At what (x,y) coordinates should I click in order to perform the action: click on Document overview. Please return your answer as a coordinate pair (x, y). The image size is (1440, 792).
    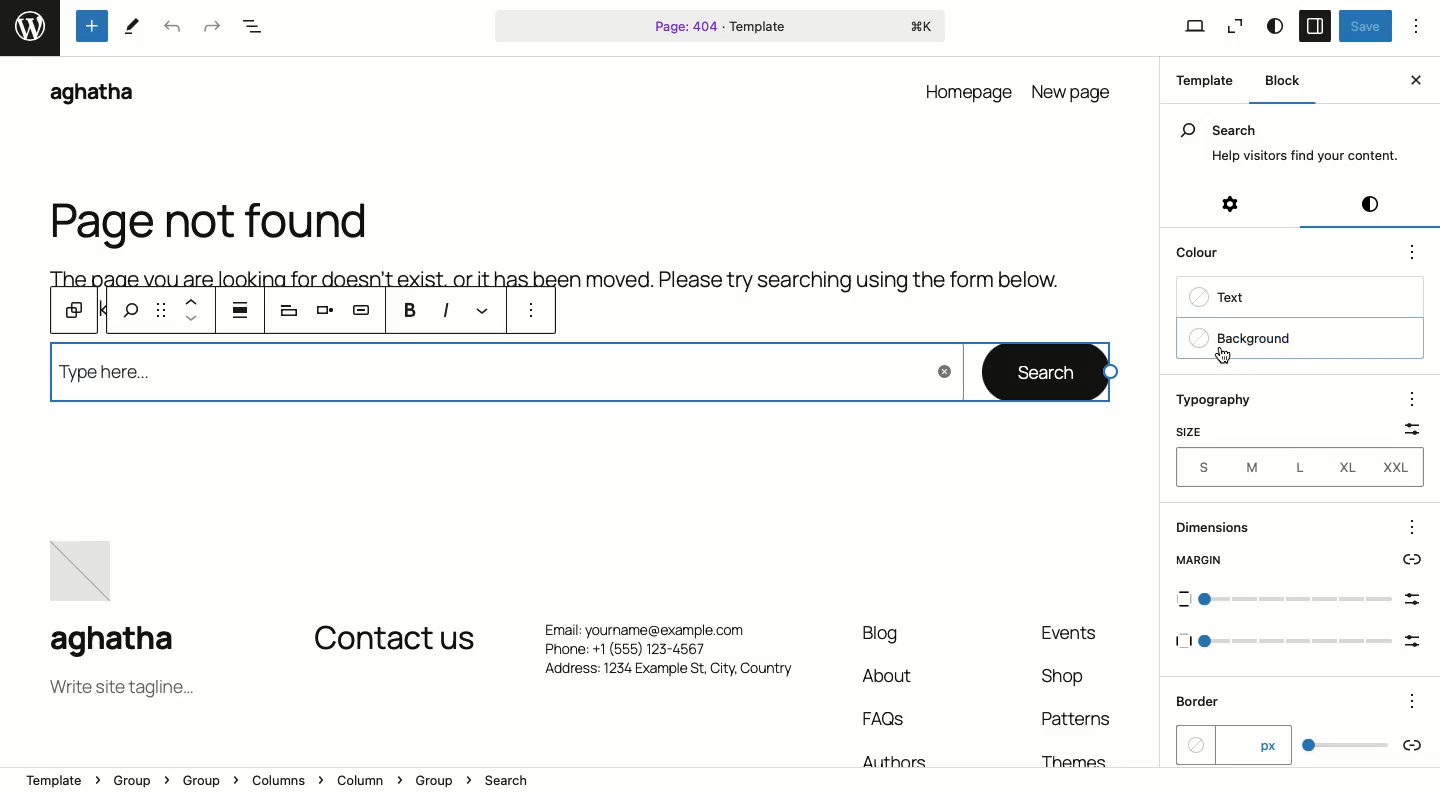
    Looking at the image, I should click on (252, 27).